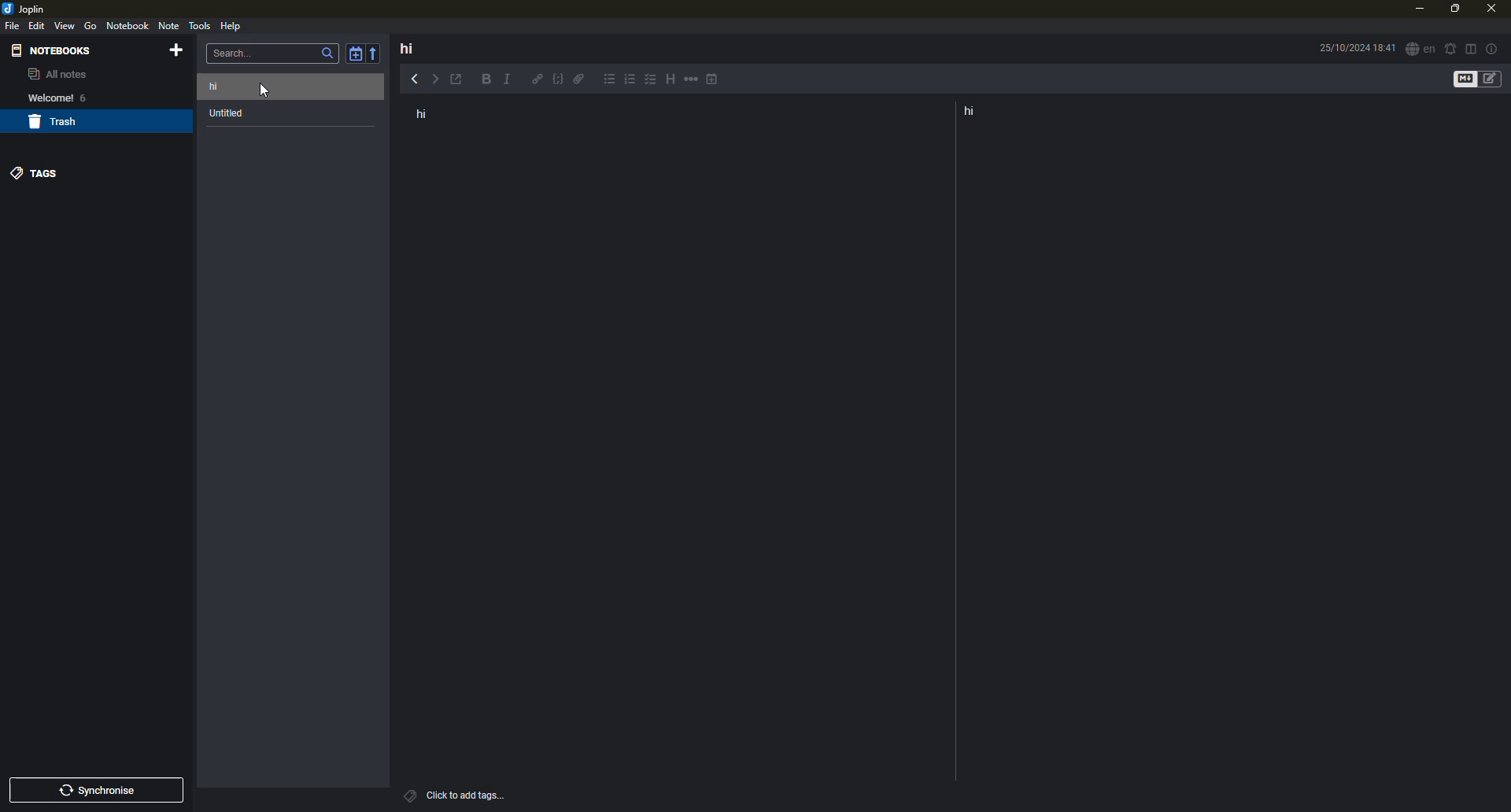 The height and width of the screenshot is (812, 1511). Describe the element at coordinates (200, 25) in the screenshot. I see `tools` at that location.